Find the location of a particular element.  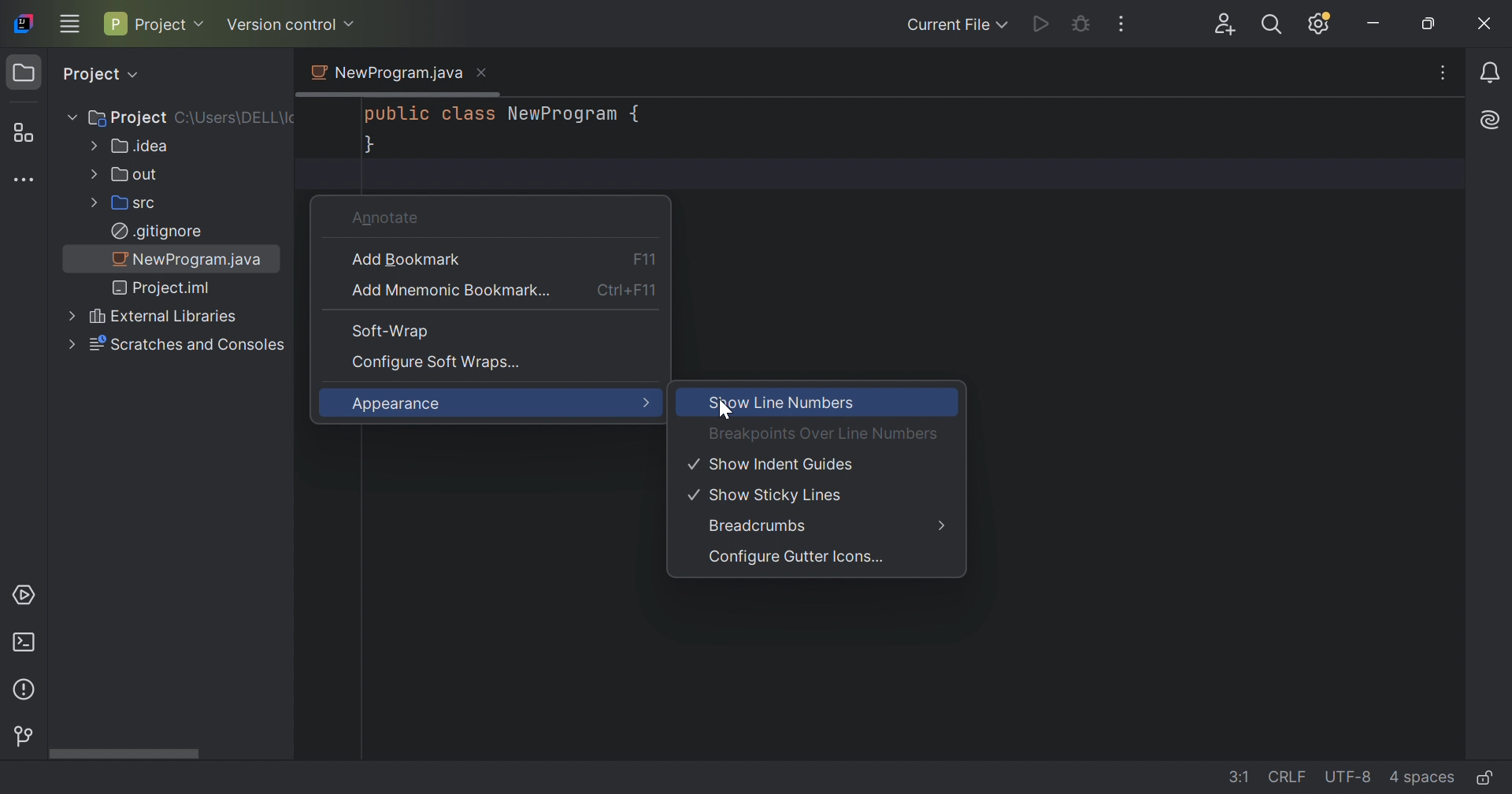

Current file is located at coordinates (944, 27).